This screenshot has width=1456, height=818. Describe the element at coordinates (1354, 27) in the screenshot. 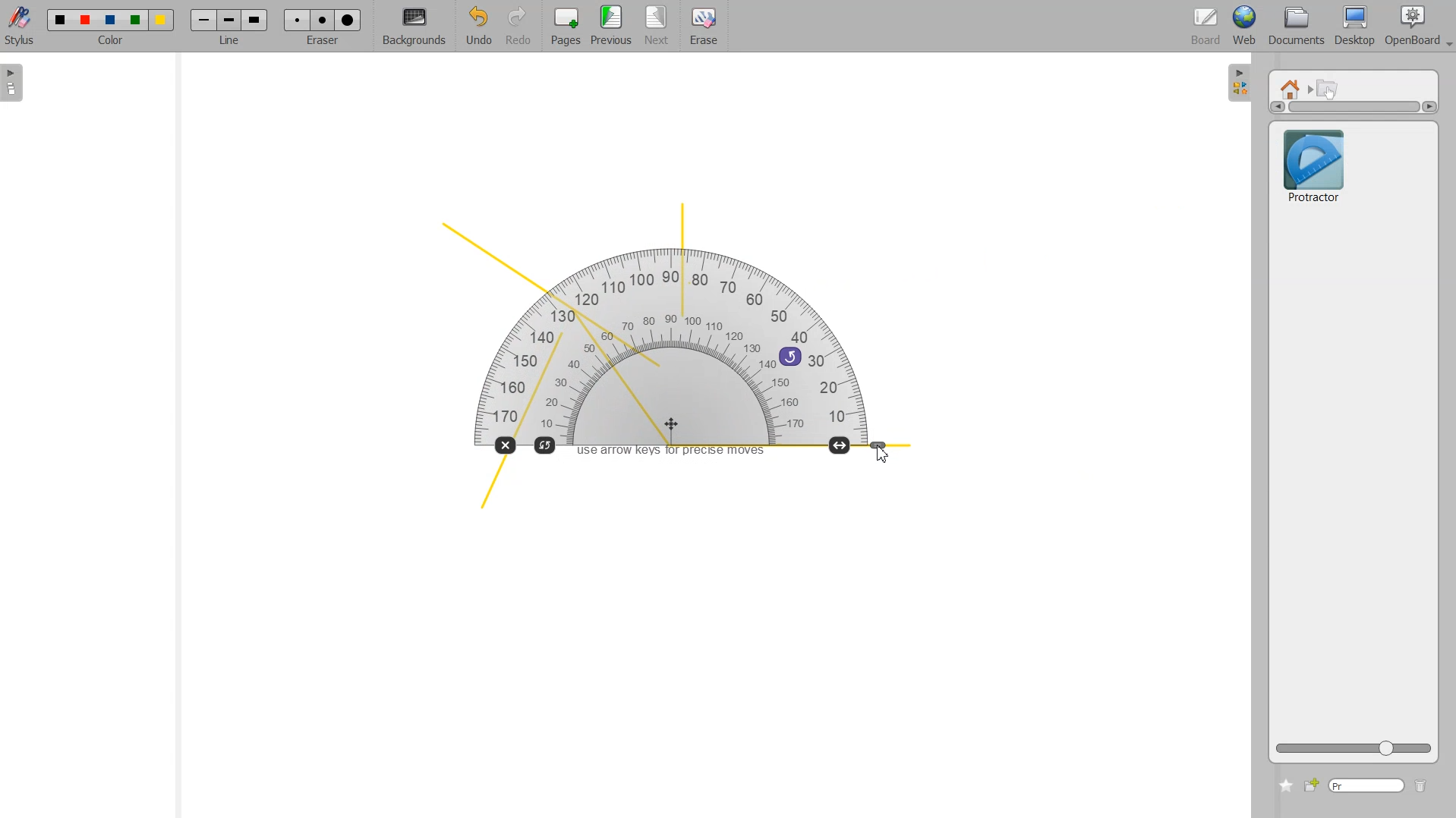

I see `Desktop` at that location.